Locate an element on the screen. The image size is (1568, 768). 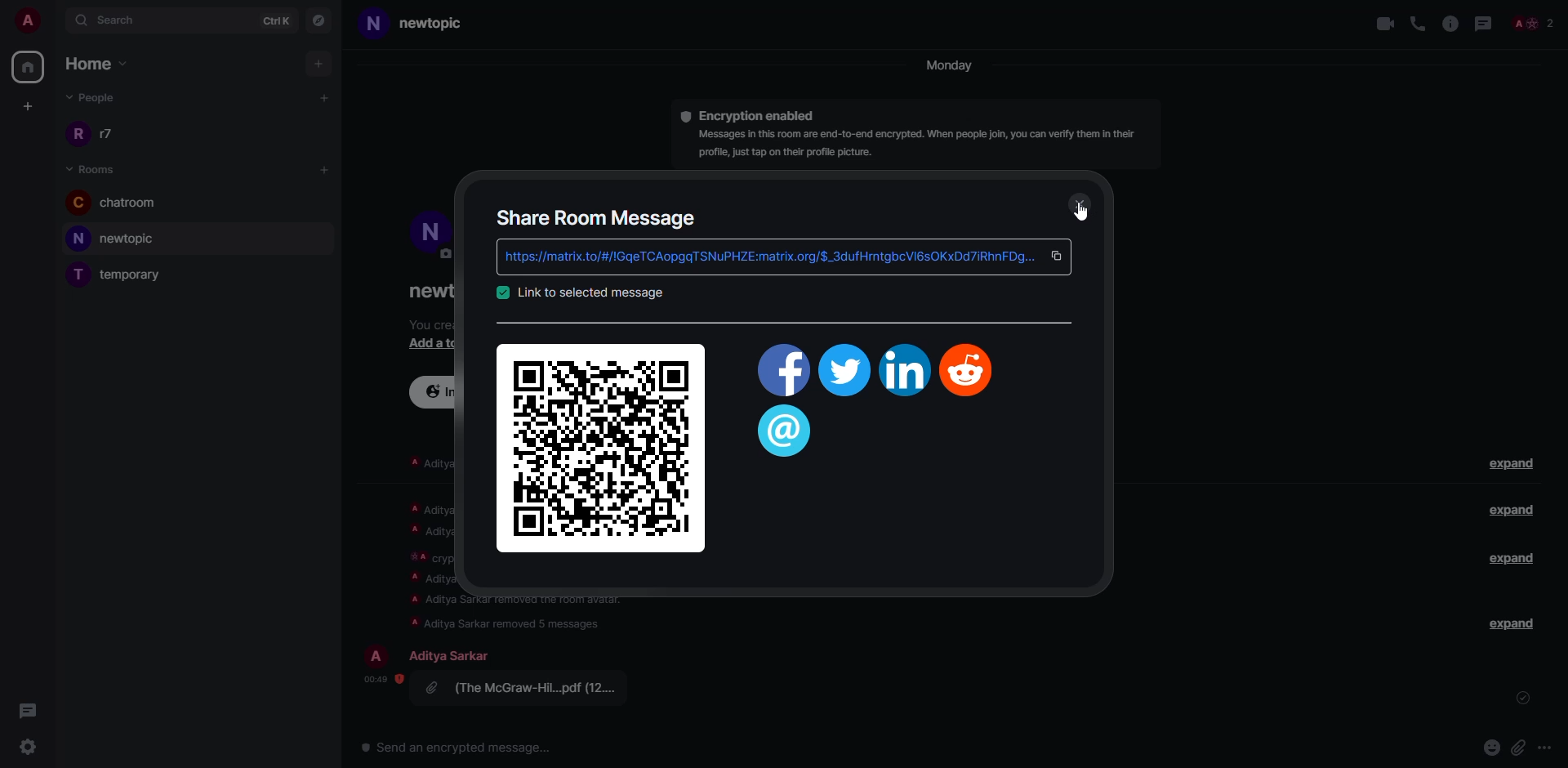
threads is located at coordinates (27, 710).